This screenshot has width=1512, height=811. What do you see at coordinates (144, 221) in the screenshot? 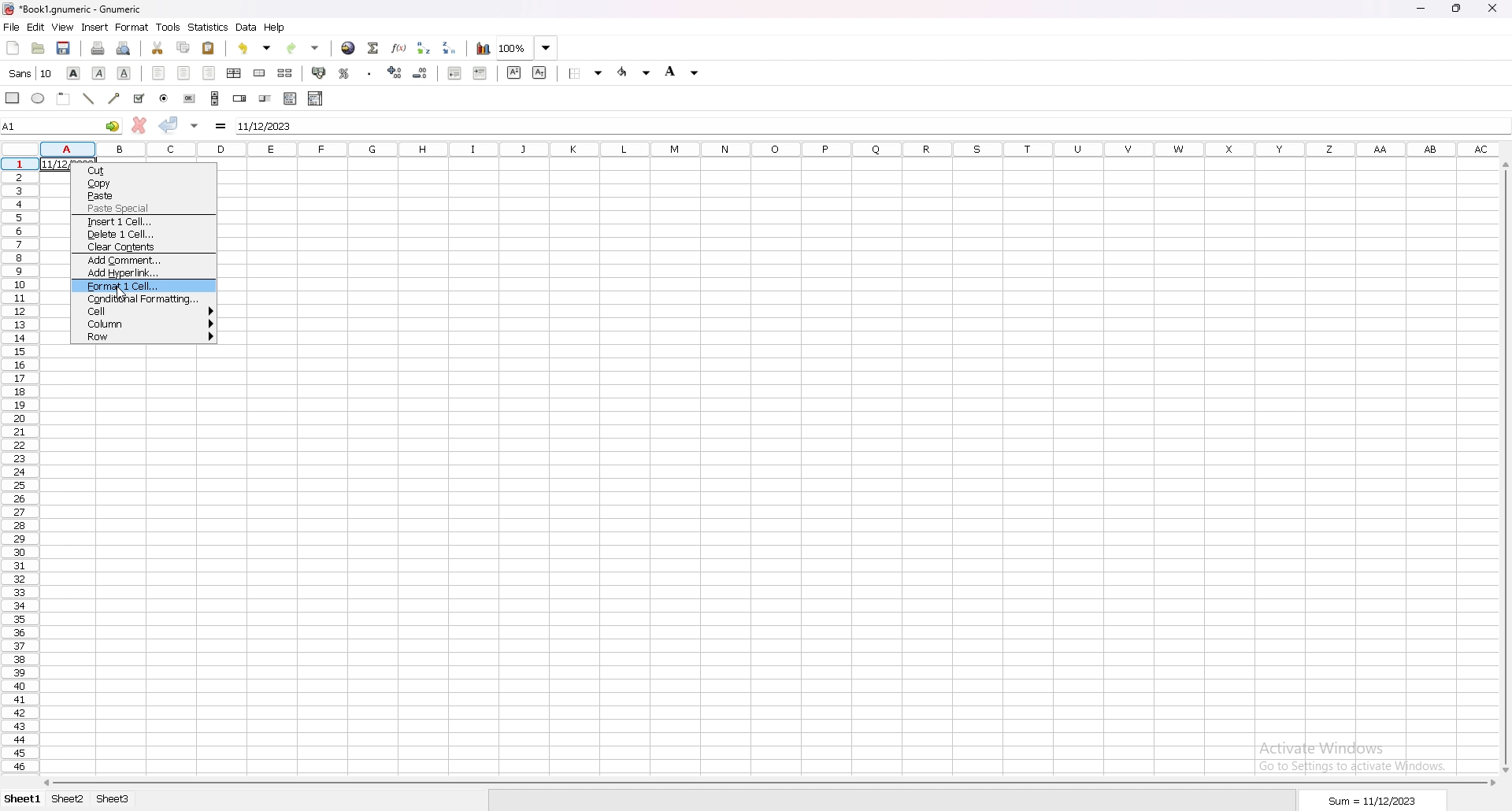
I see `insert 1 cell` at bounding box center [144, 221].